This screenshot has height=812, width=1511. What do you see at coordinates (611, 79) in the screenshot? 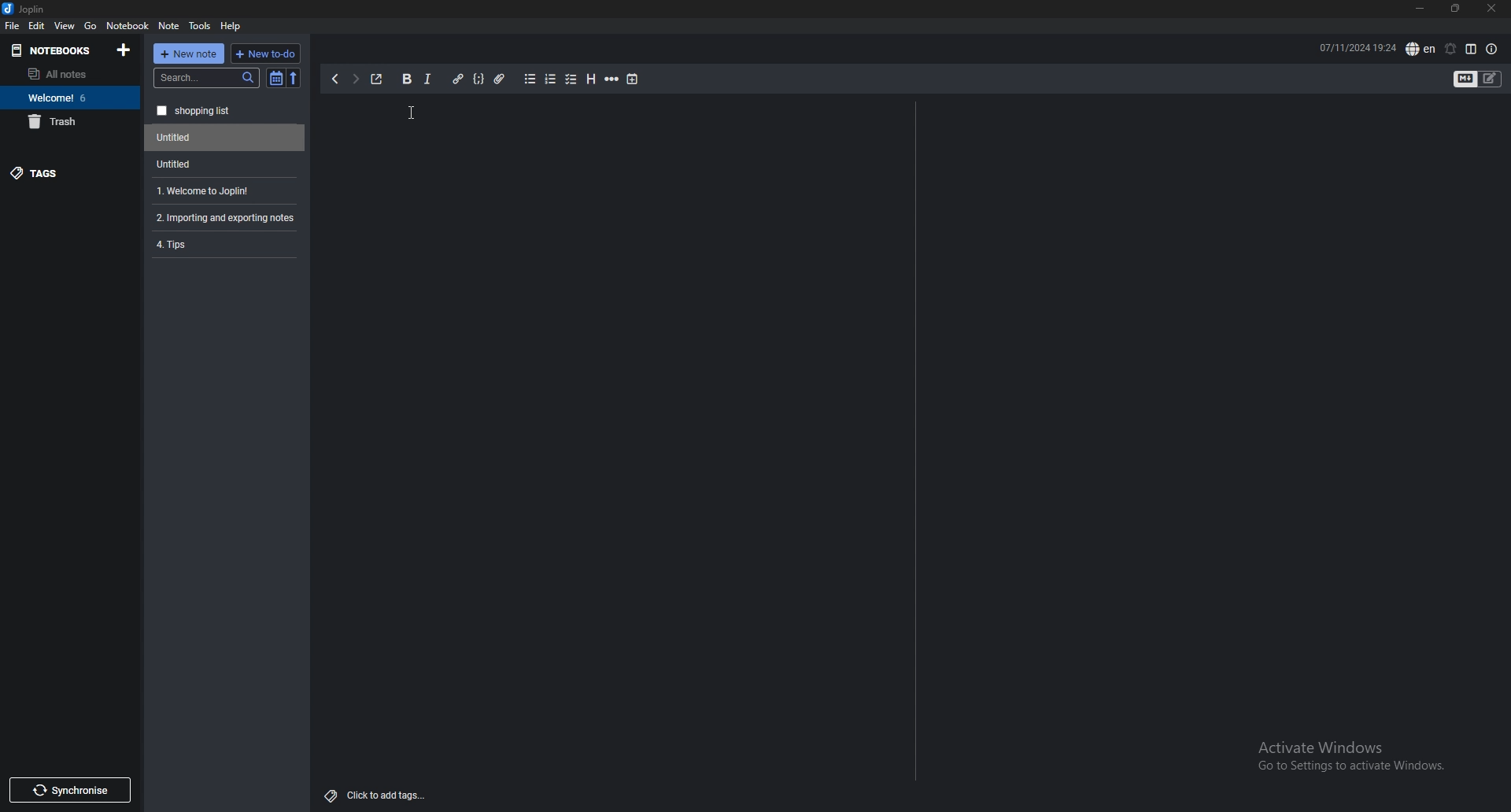
I see `horizontal rule` at bounding box center [611, 79].